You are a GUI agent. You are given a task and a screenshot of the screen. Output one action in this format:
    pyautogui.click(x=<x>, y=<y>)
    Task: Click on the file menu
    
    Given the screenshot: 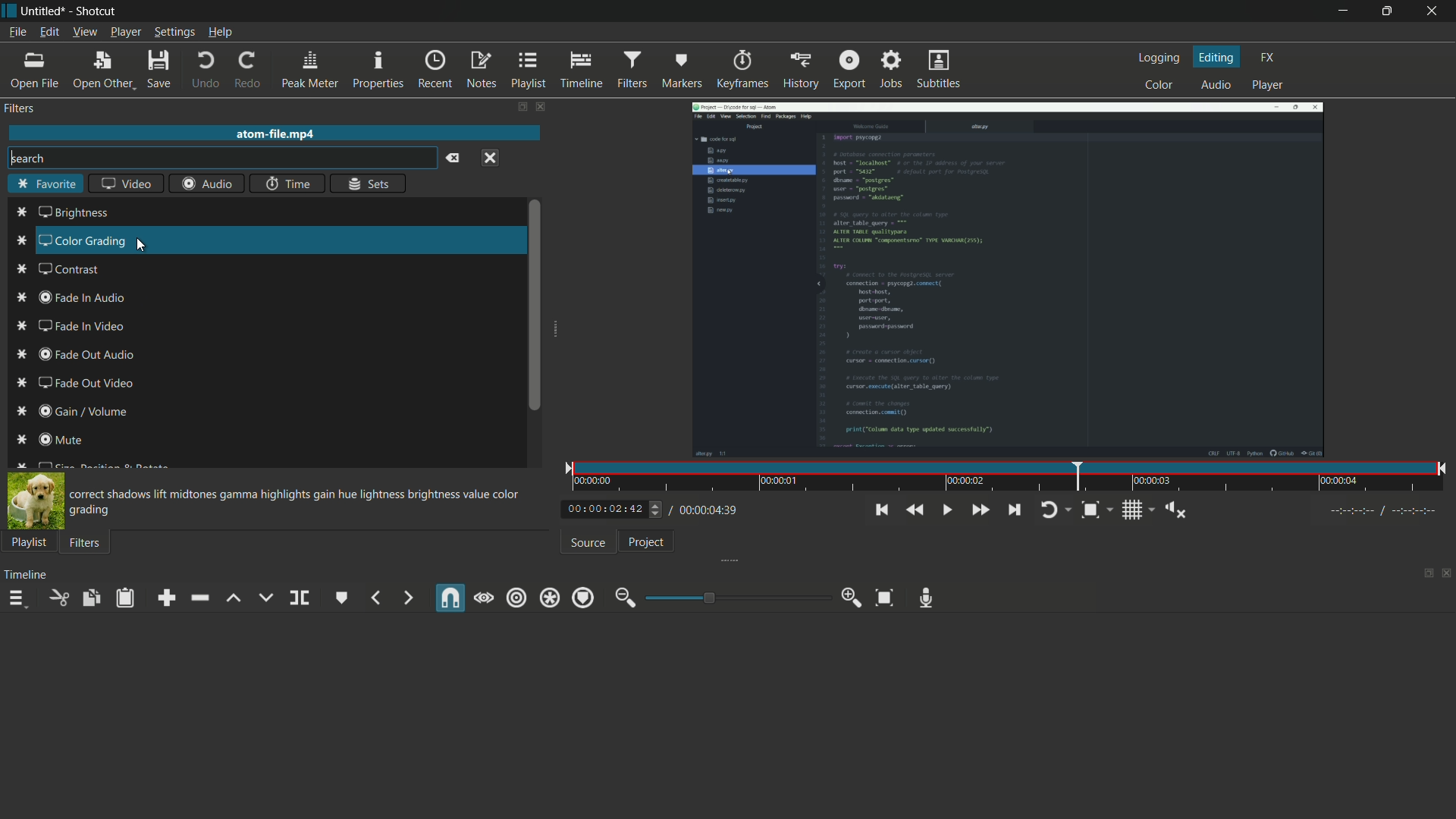 What is the action you would take?
    pyautogui.click(x=20, y=33)
    